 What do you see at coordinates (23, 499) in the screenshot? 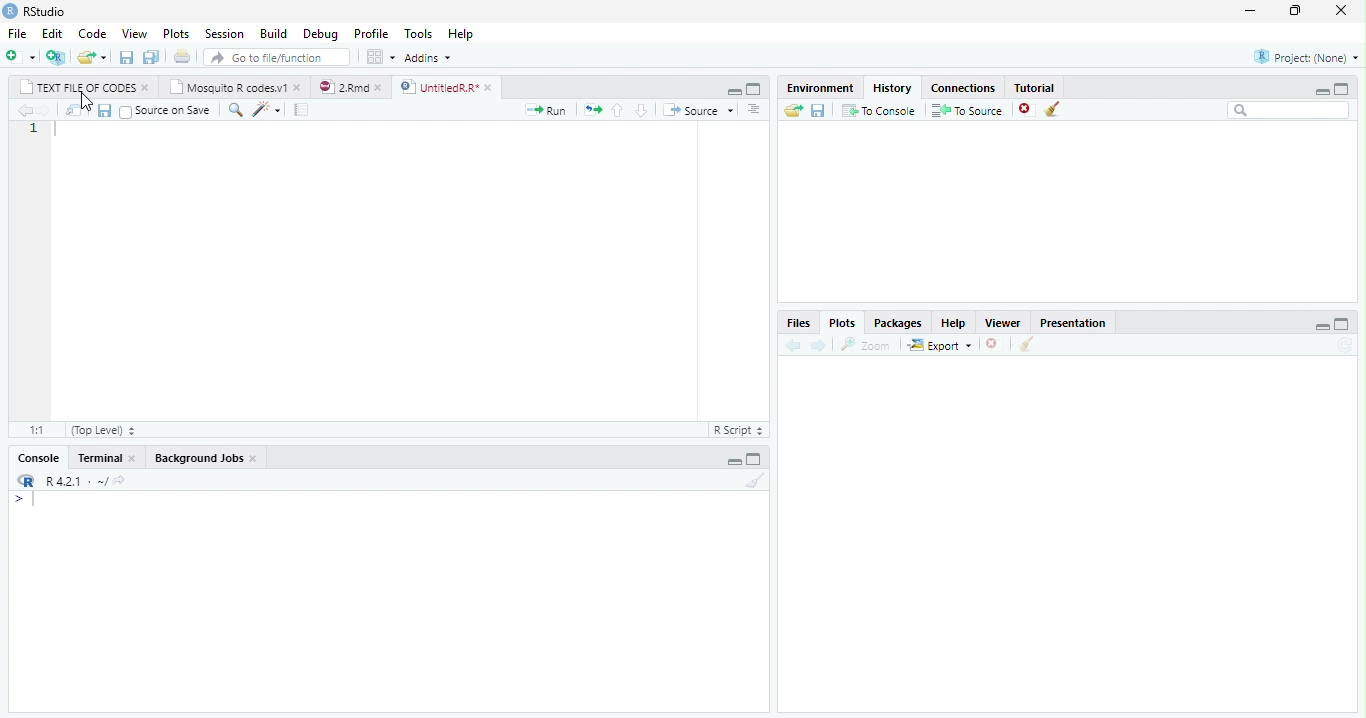
I see `typing` at bounding box center [23, 499].